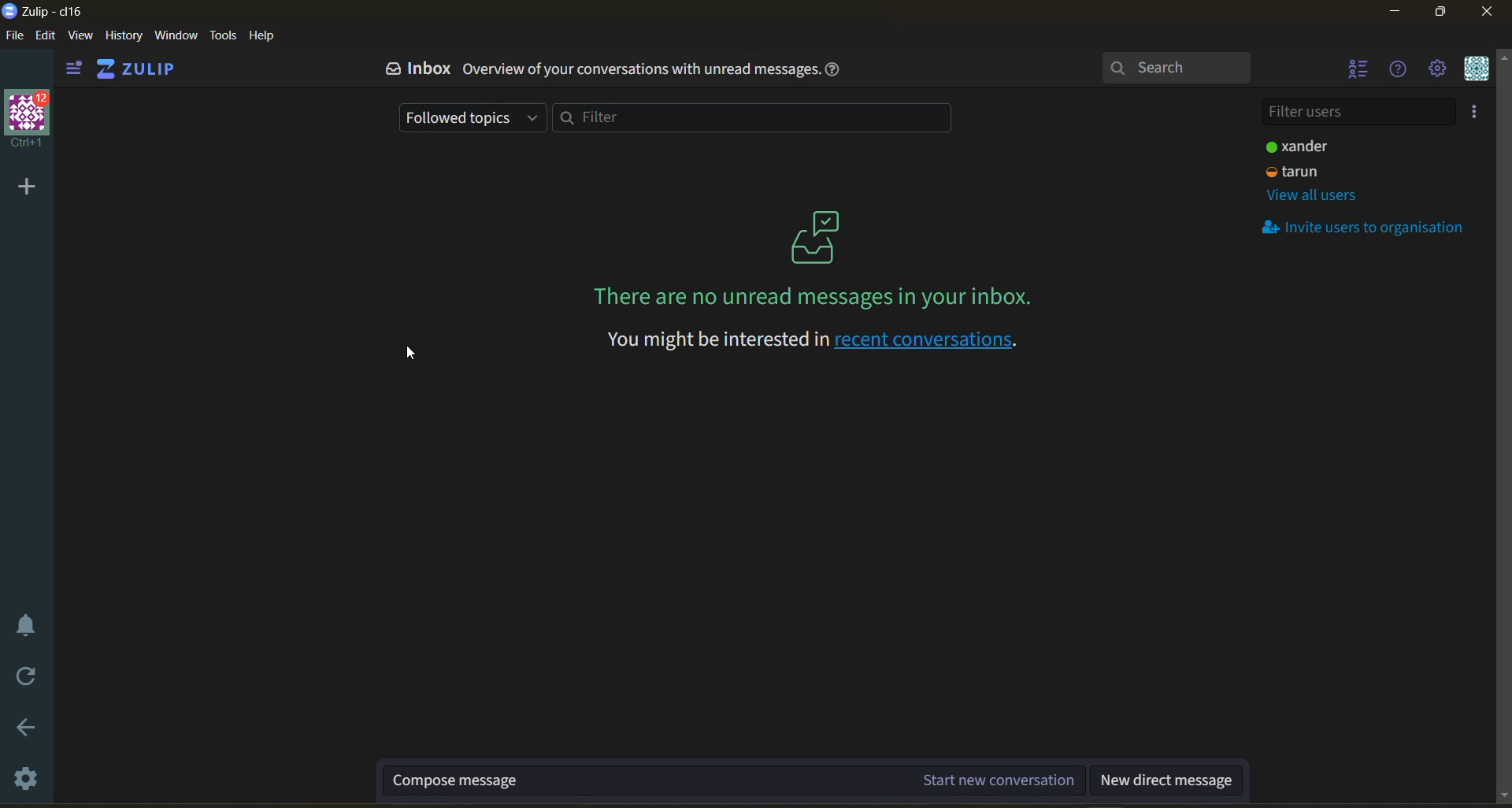  What do you see at coordinates (1482, 70) in the screenshot?
I see `personal menu` at bounding box center [1482, 70].